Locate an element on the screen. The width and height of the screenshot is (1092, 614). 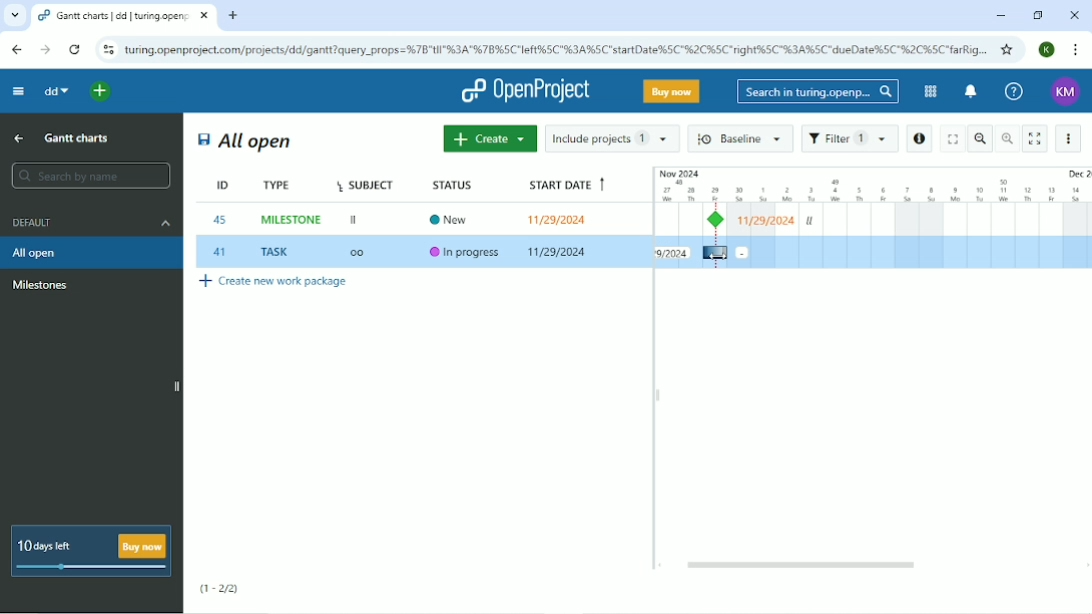
Horizontal scrollbar is located at coordinates (804, 565).